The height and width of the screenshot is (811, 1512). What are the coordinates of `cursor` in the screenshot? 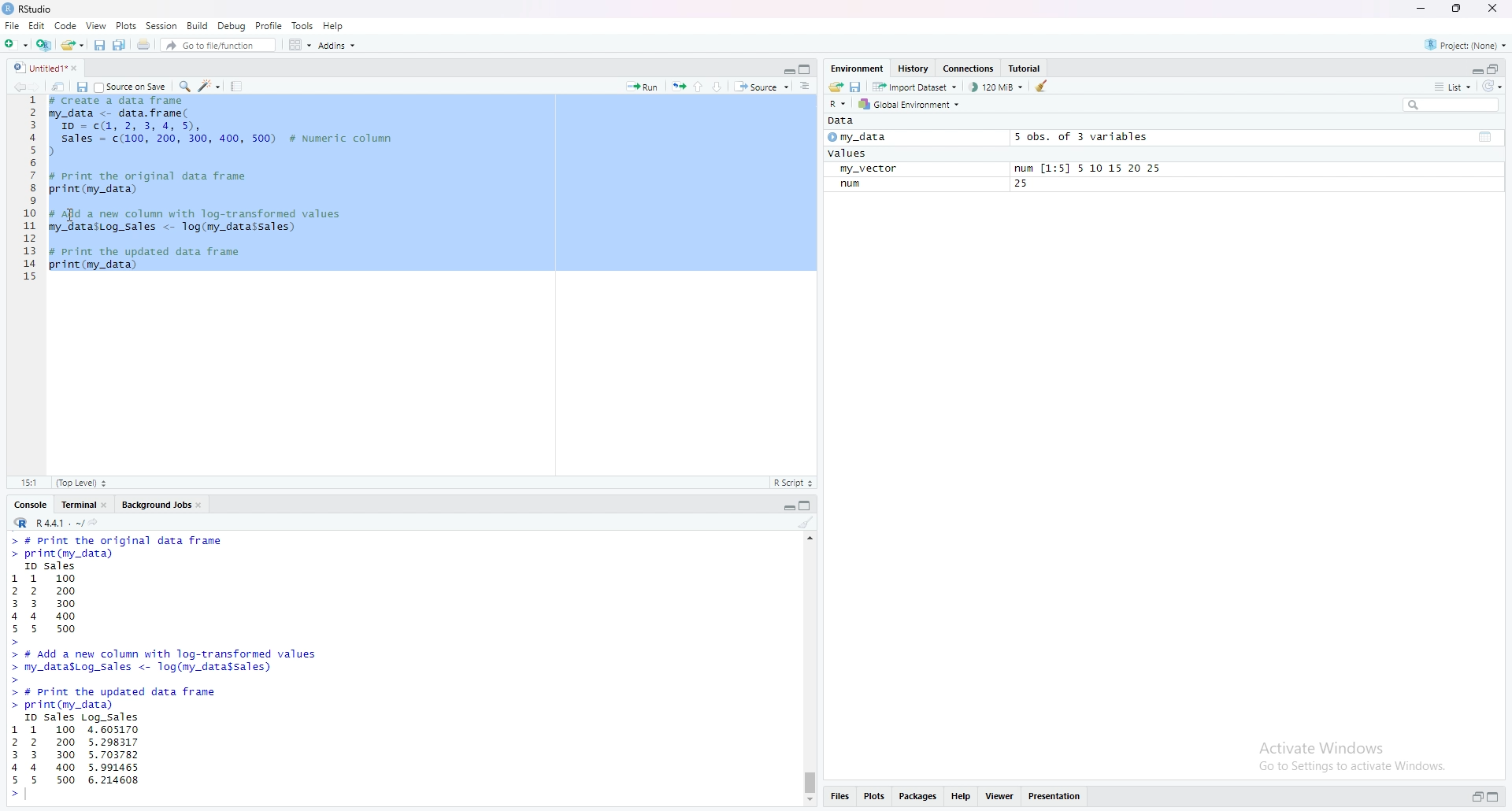 It's located at (71, 214).